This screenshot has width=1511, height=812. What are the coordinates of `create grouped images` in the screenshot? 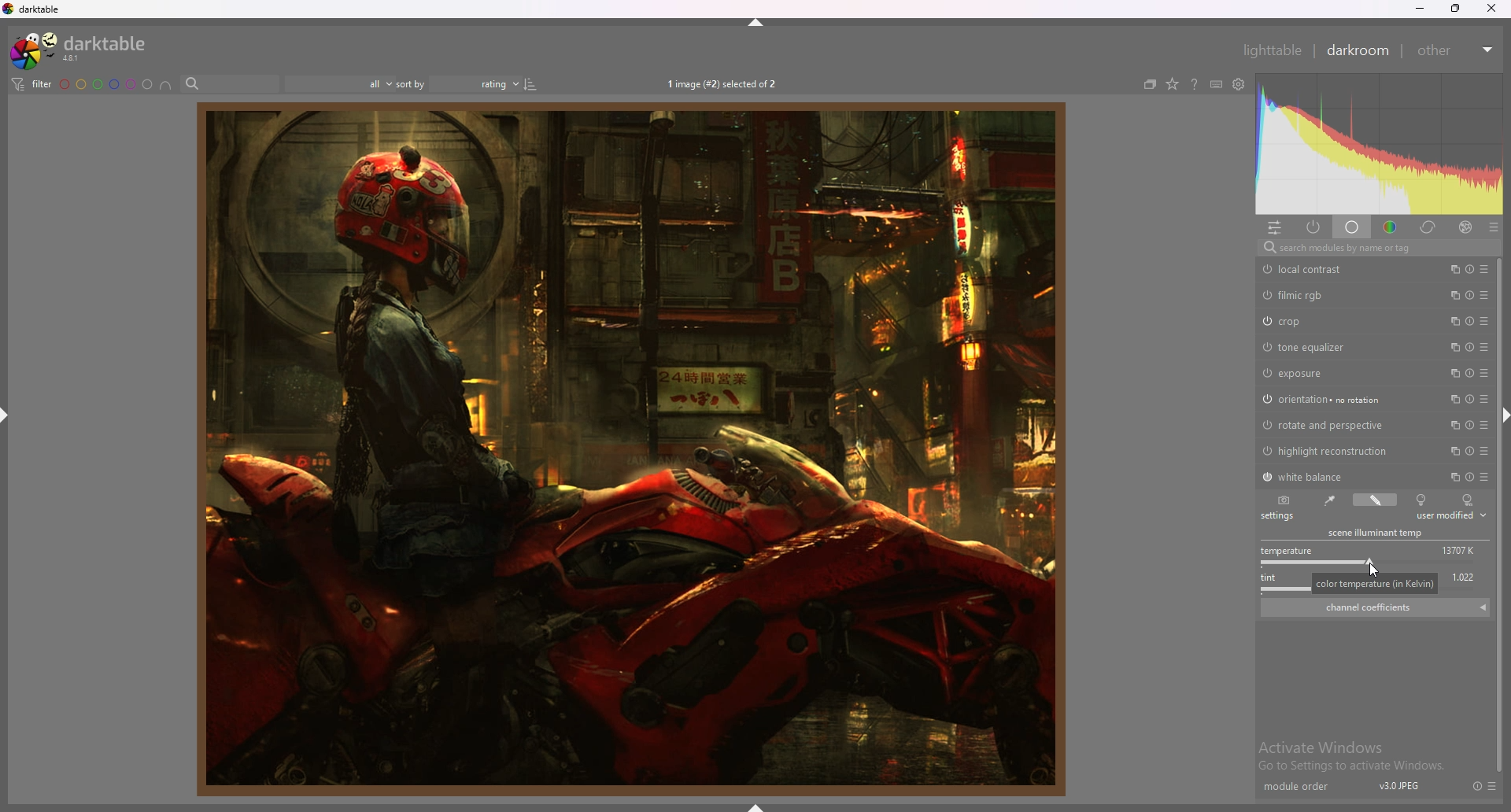 It's located at (1150, 85).